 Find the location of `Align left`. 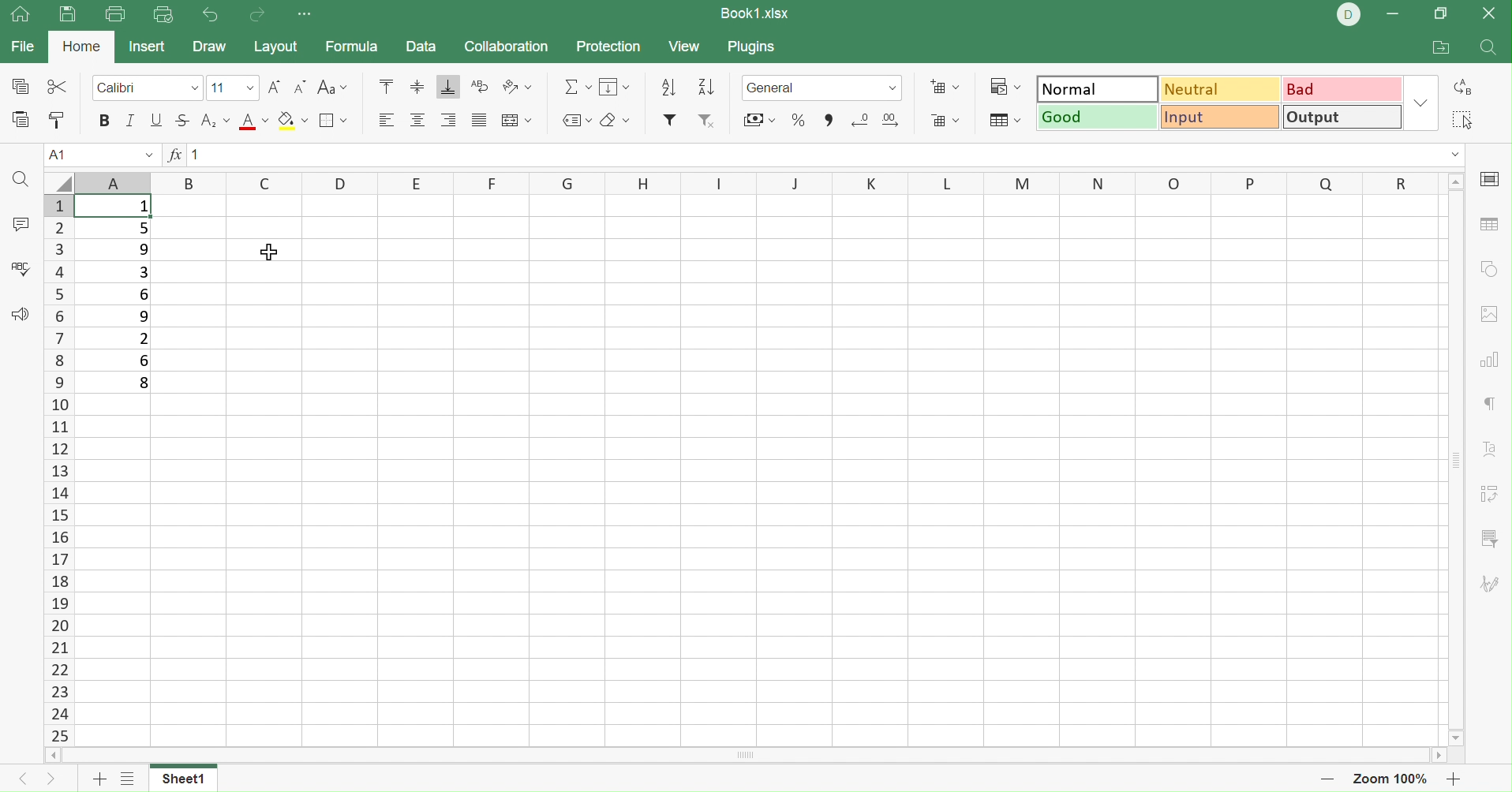

Align left is located at coordinates (386, 120).